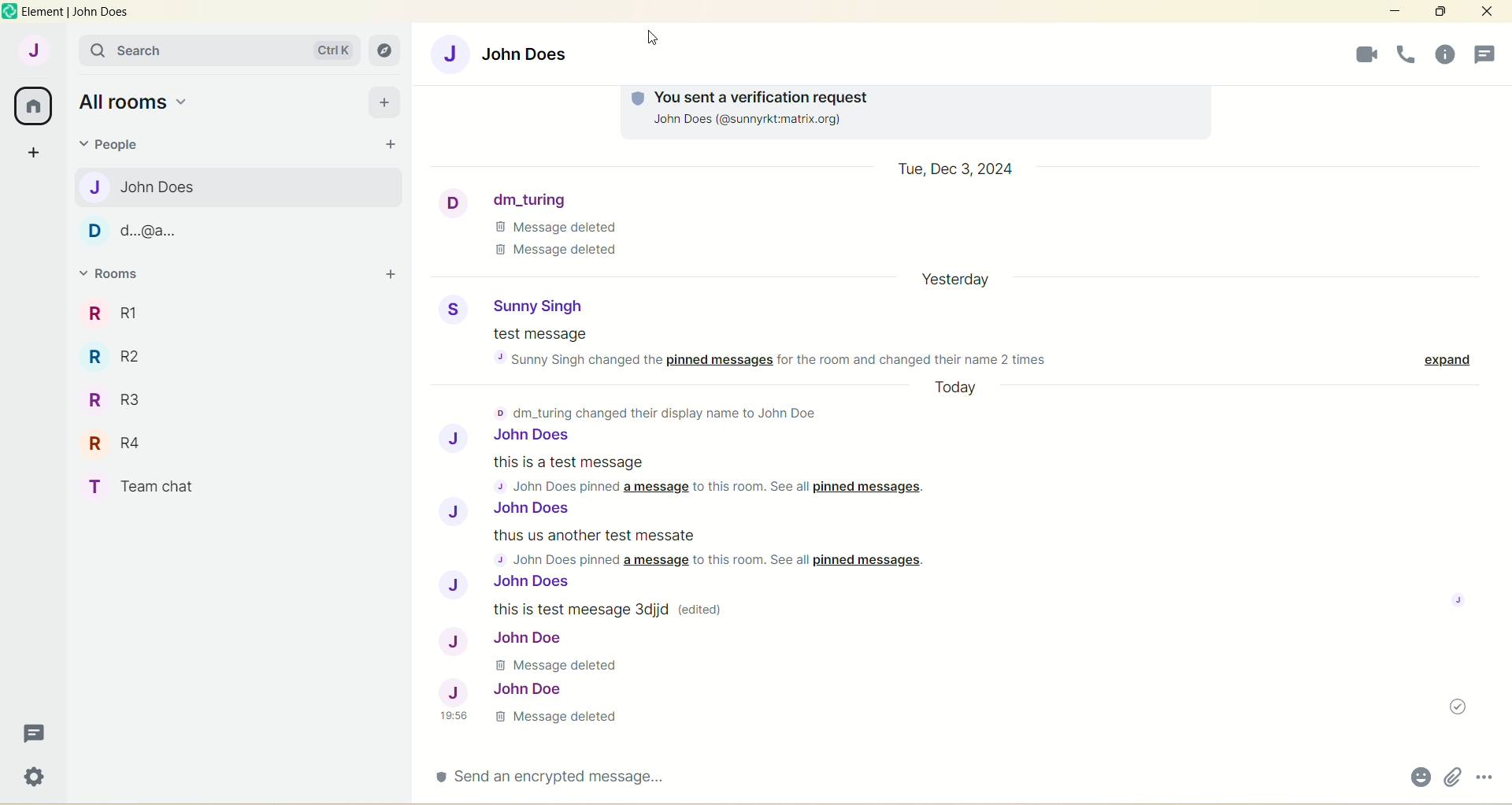 This screenshot has height=805, width=1512. What do you see at coordinates (616, 607) in the screenshot?
I see `this is test message 3djjd (edited)` at bounding box center [616, 607].